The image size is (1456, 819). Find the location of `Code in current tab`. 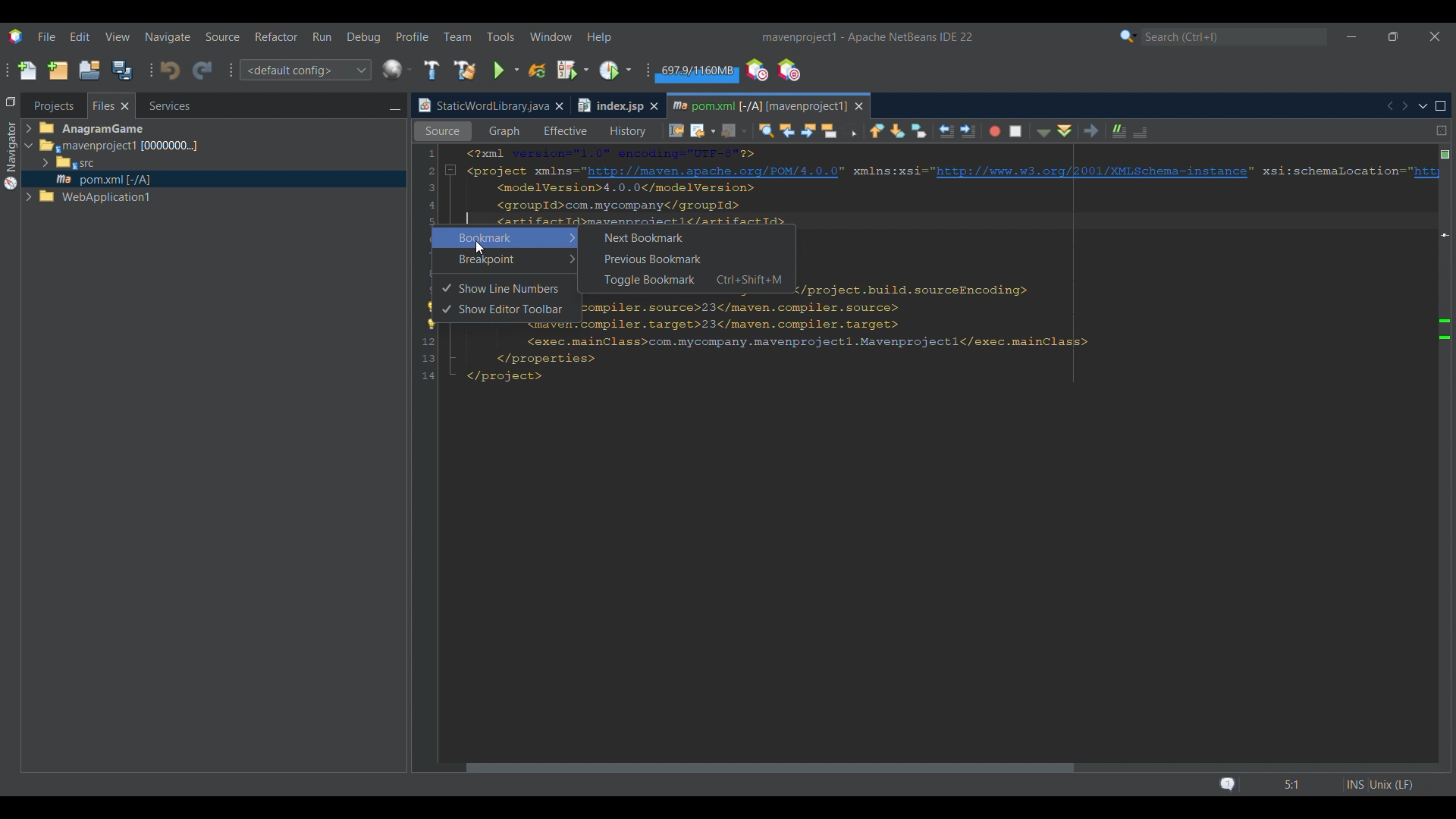

Code in current tab is located at coordinates (927, 266).